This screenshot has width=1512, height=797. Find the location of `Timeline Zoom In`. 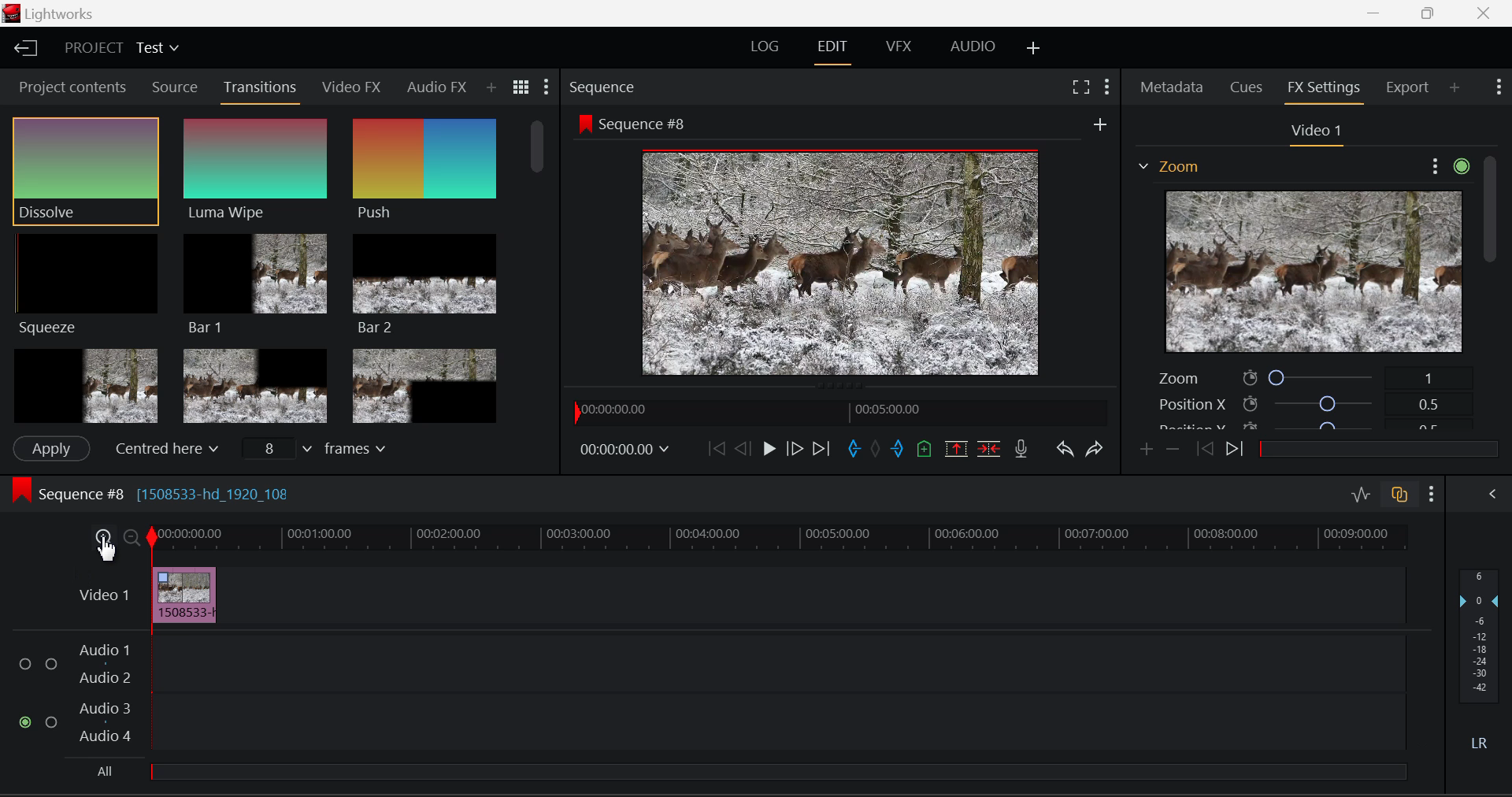

Timeline Zoom In is located at coordinates (100, 539).